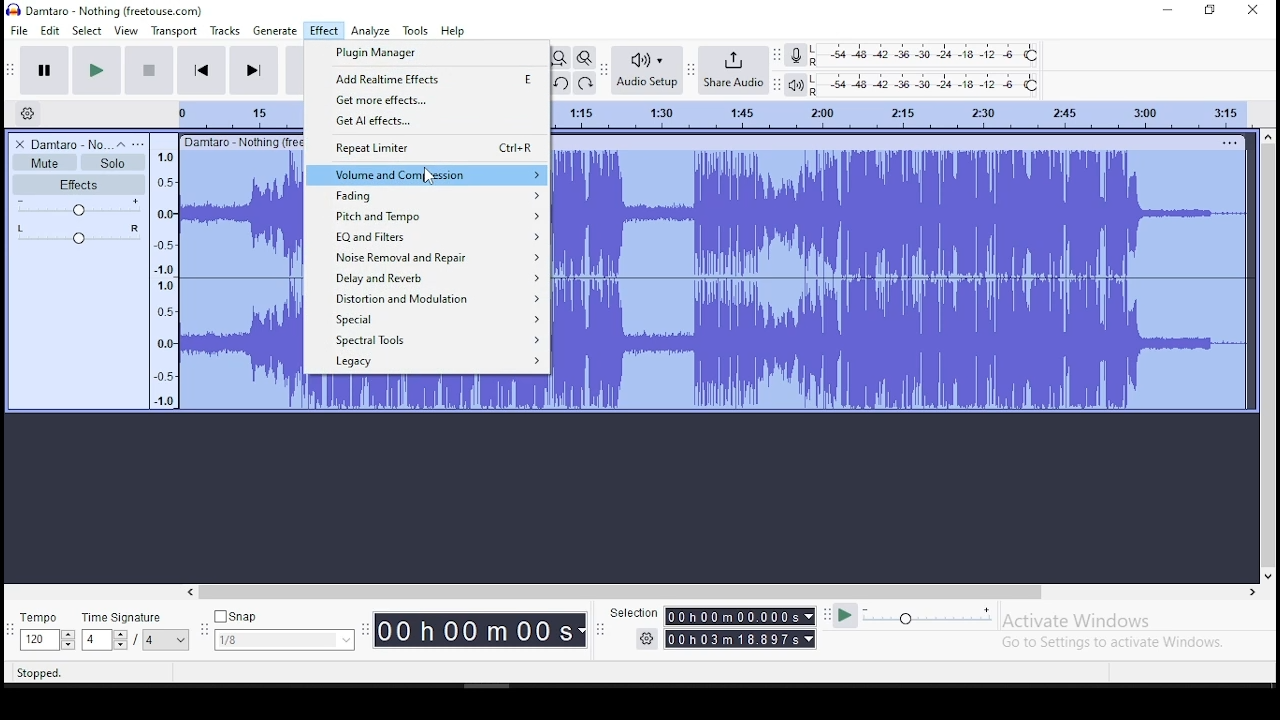 Image resolution: width=1280 pixels, height=720 pixels. Describe the element at coordinates (202, 70) in the screenshot. I see `skip to start` at that location.